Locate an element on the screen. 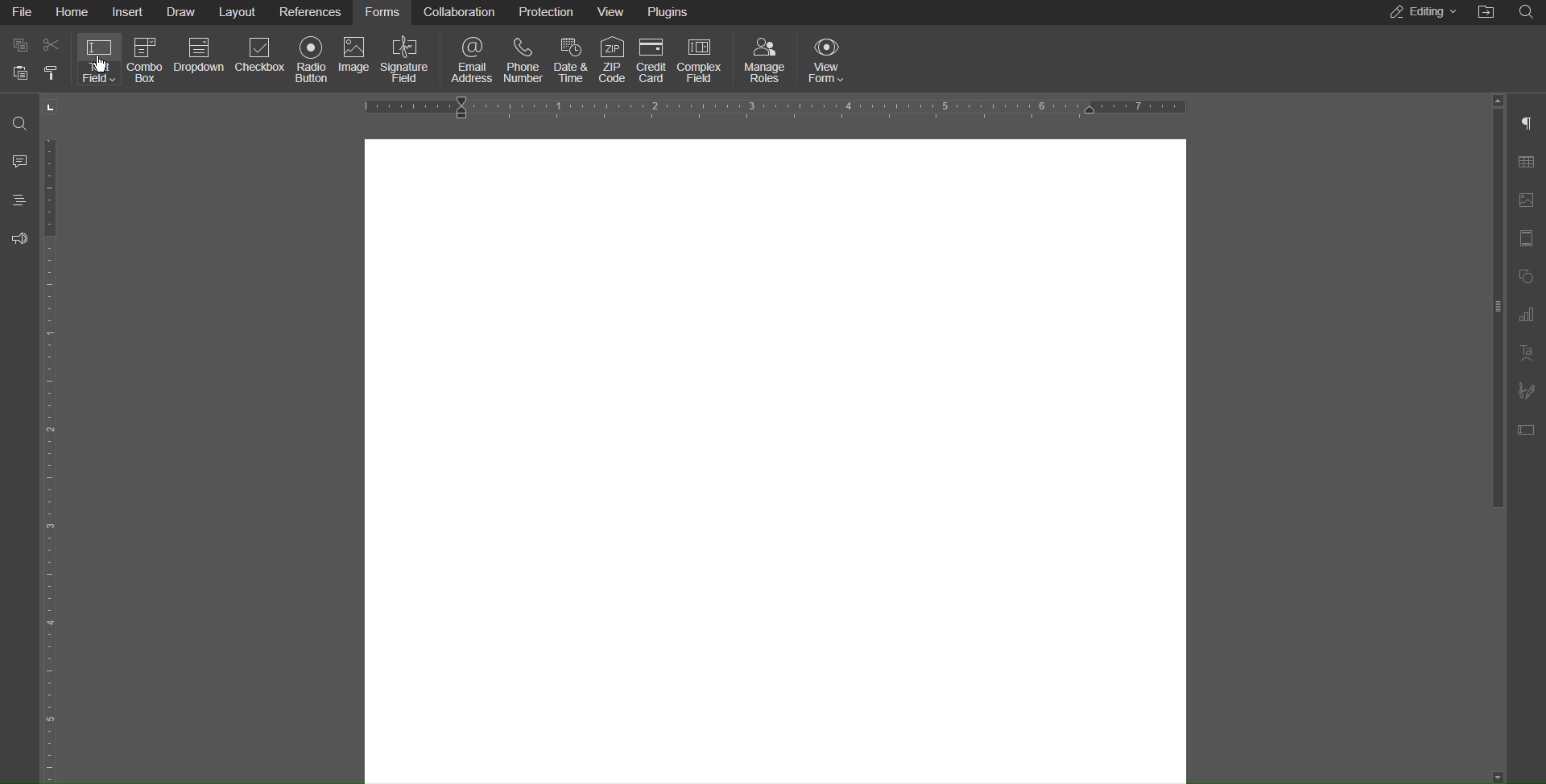 The width and height of the screenshot is (1546, 784). Comments is located at coordinates (18, 160).